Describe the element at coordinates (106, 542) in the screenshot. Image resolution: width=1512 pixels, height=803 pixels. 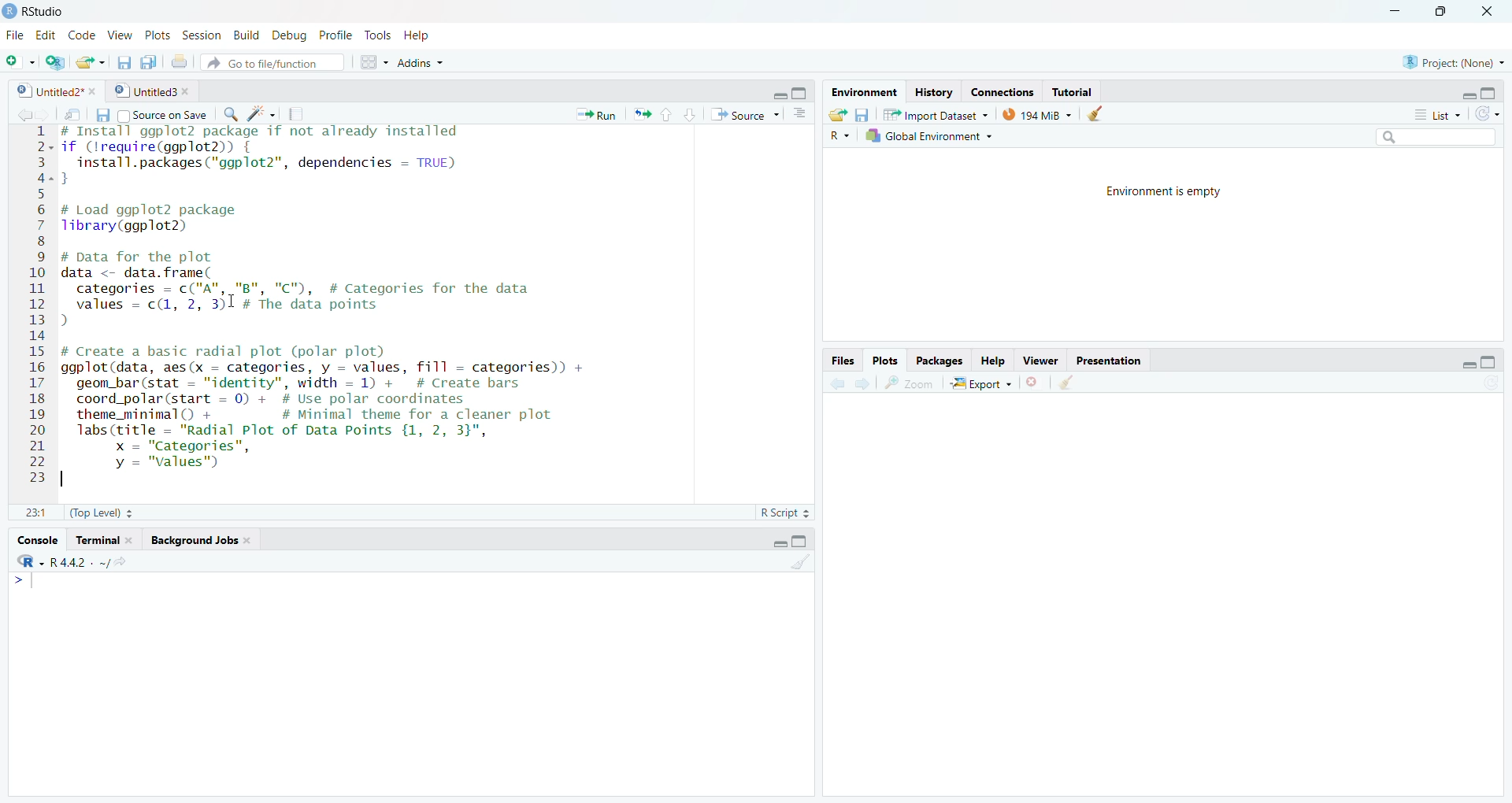
I see `Terminal` at that location.